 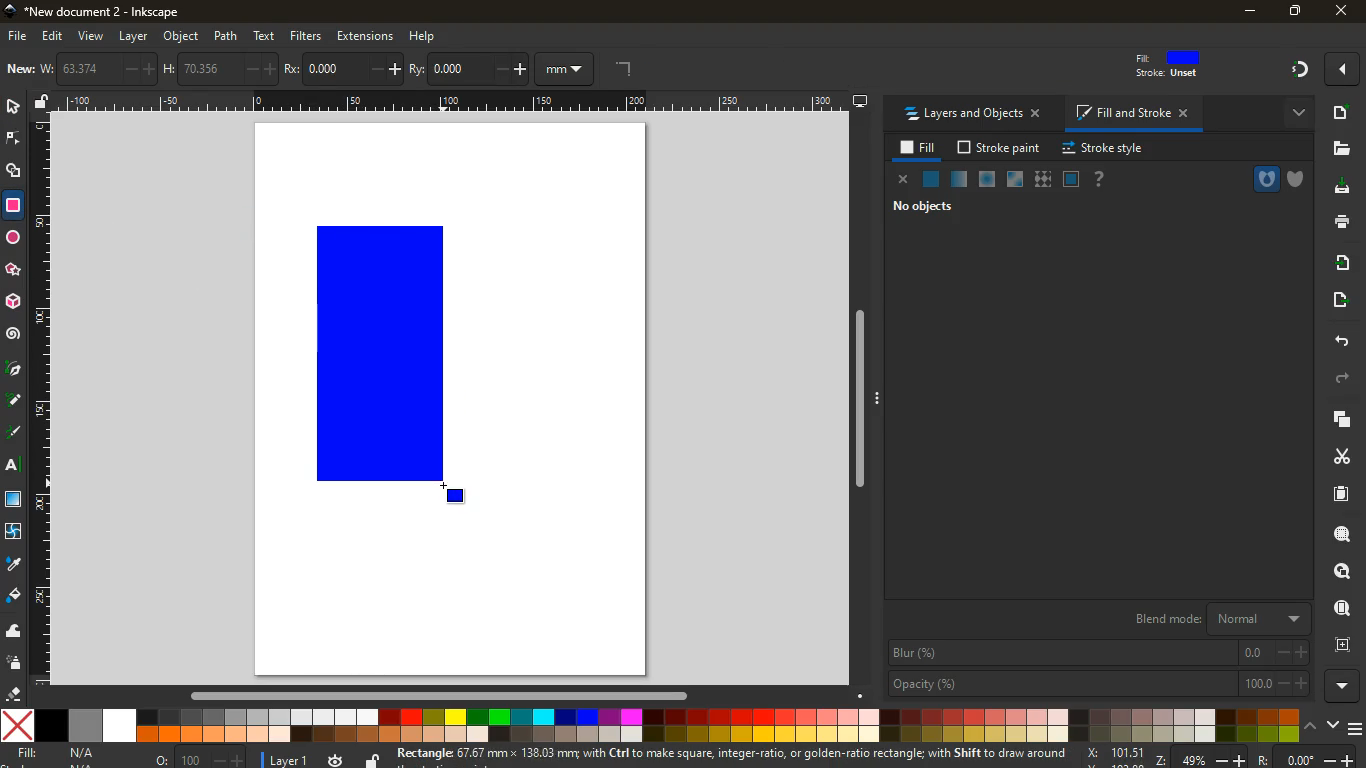 What do you see at coordinates (337, 760) in the screenshot?
I see `time` at bounding box center [337, 760].